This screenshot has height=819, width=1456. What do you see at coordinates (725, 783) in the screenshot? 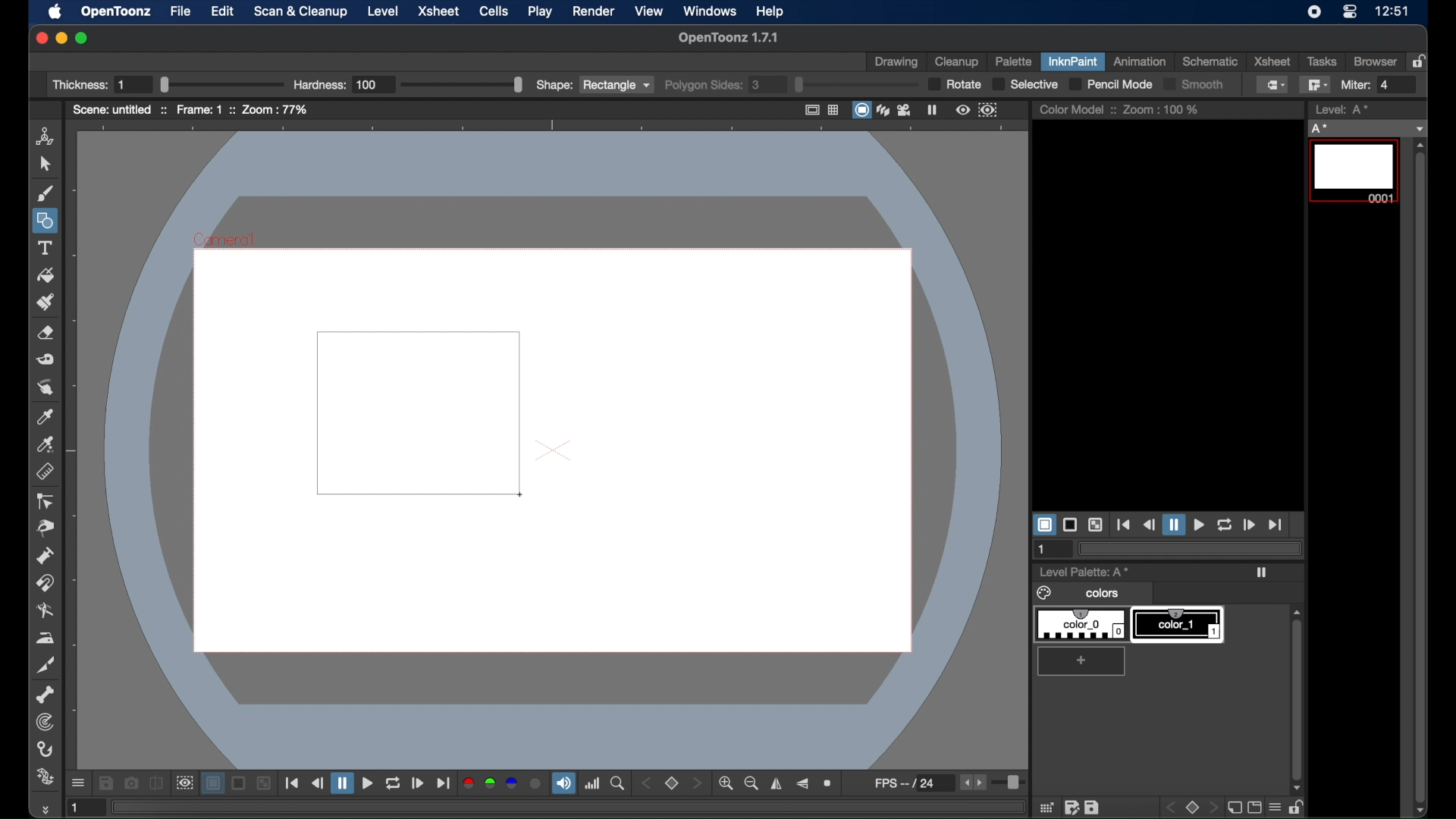
I see `zoom in` at bounding box center [725, 783].